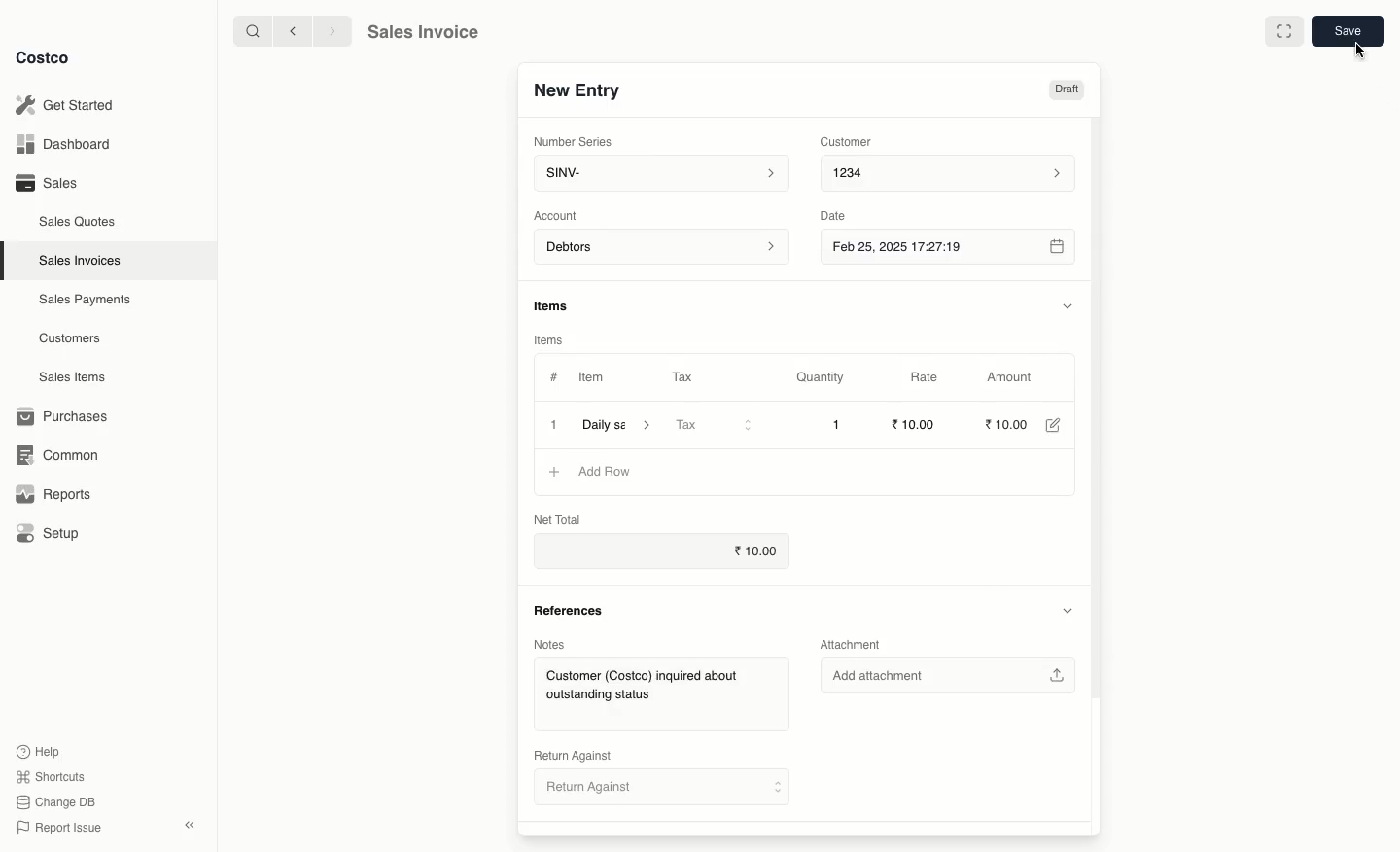 Image resolution: width=1400 pixels, height=852 pixels. What do you see at coordinates (684, 375) in the screenshot?
I see `Tax` at bounding box center [684, 375].